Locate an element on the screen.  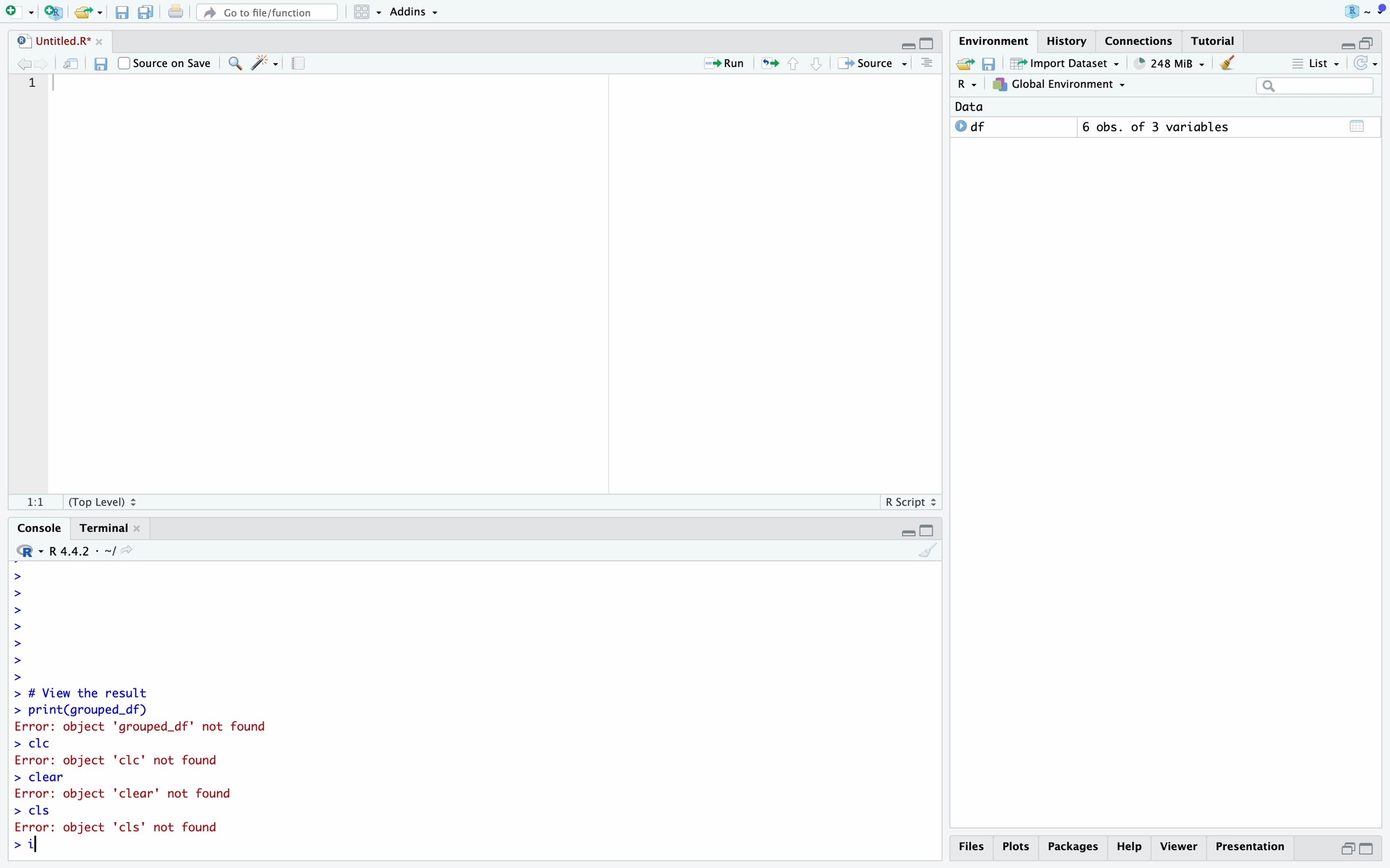
Export history logs is located at coordinates (967, 63).